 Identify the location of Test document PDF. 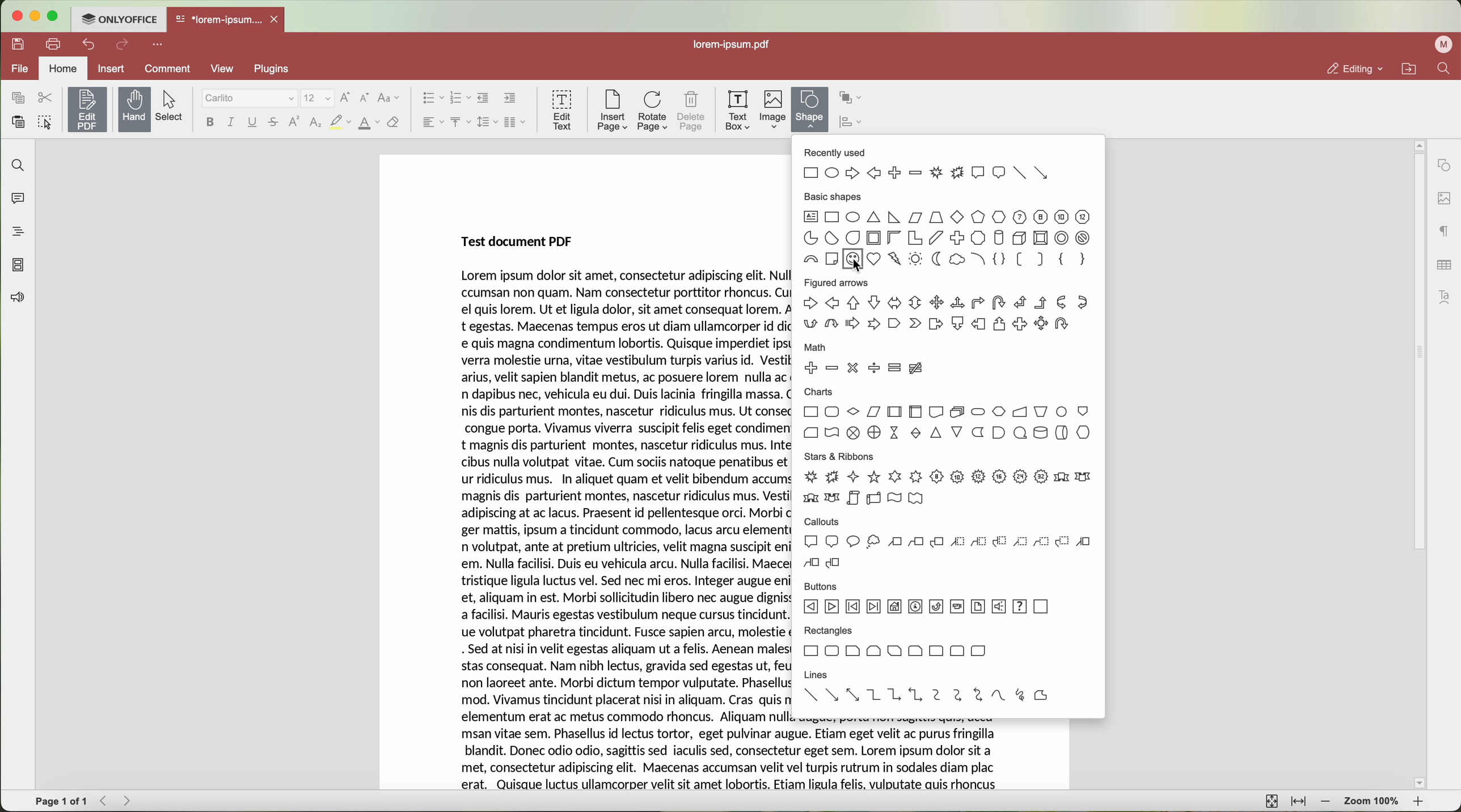
(514, 240).